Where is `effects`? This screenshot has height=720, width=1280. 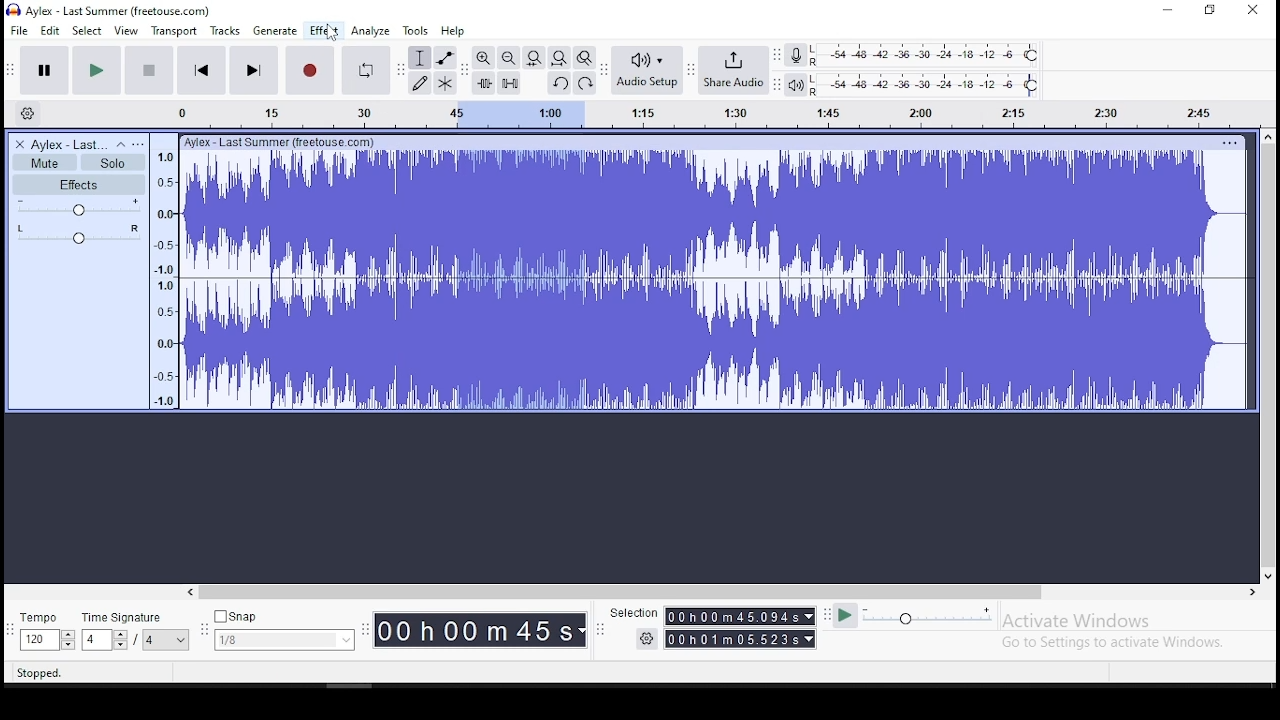 effects is located at coordinates (80, 184).